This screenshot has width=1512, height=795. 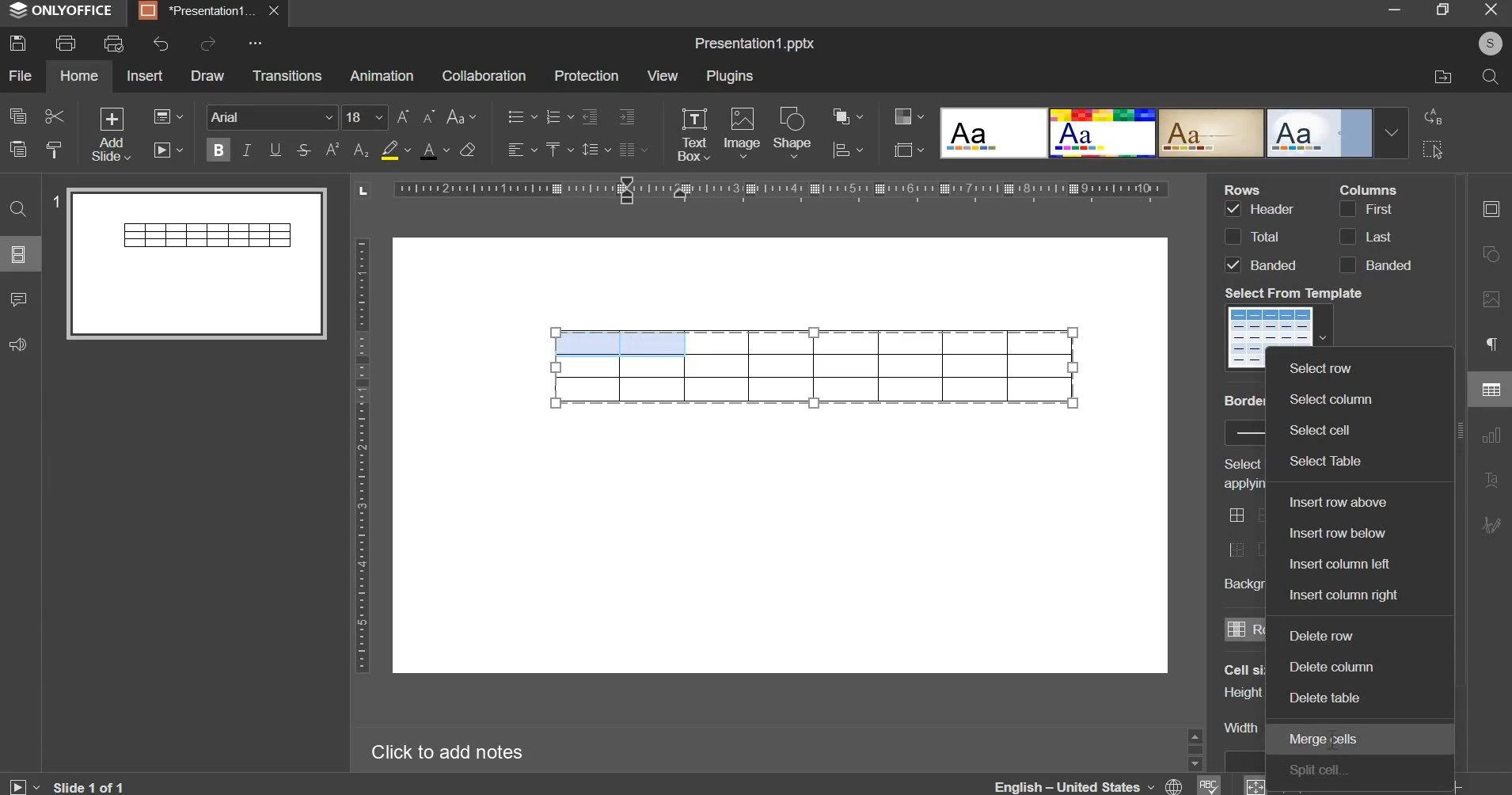 What do you see at coordinates (1296, 293) in the screenshot?
I see `Select From Templete` at bounding box center [1296, 293].